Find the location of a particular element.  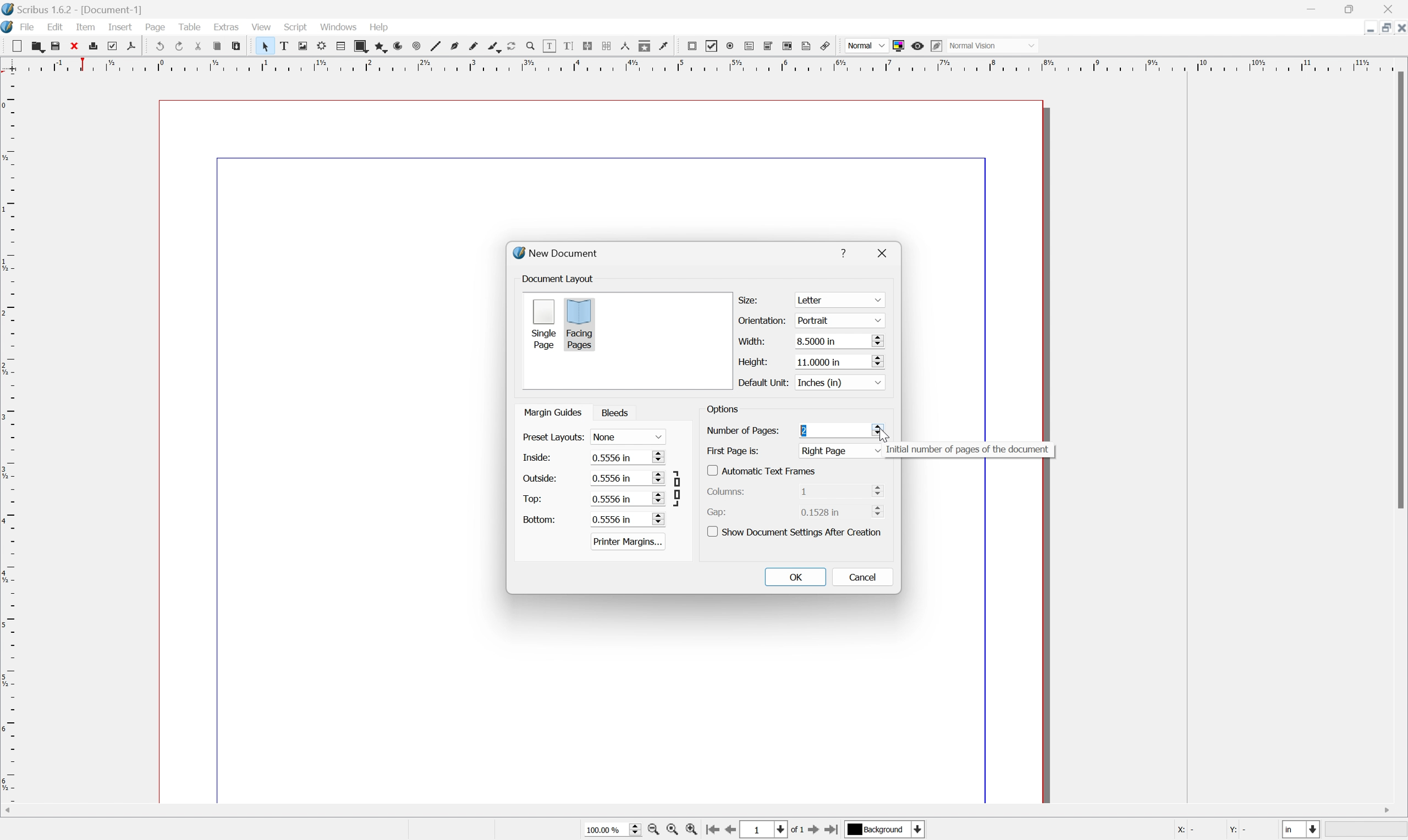

Scribus 1.6.2 - [Document-1] is located at coordinates (76, 9).